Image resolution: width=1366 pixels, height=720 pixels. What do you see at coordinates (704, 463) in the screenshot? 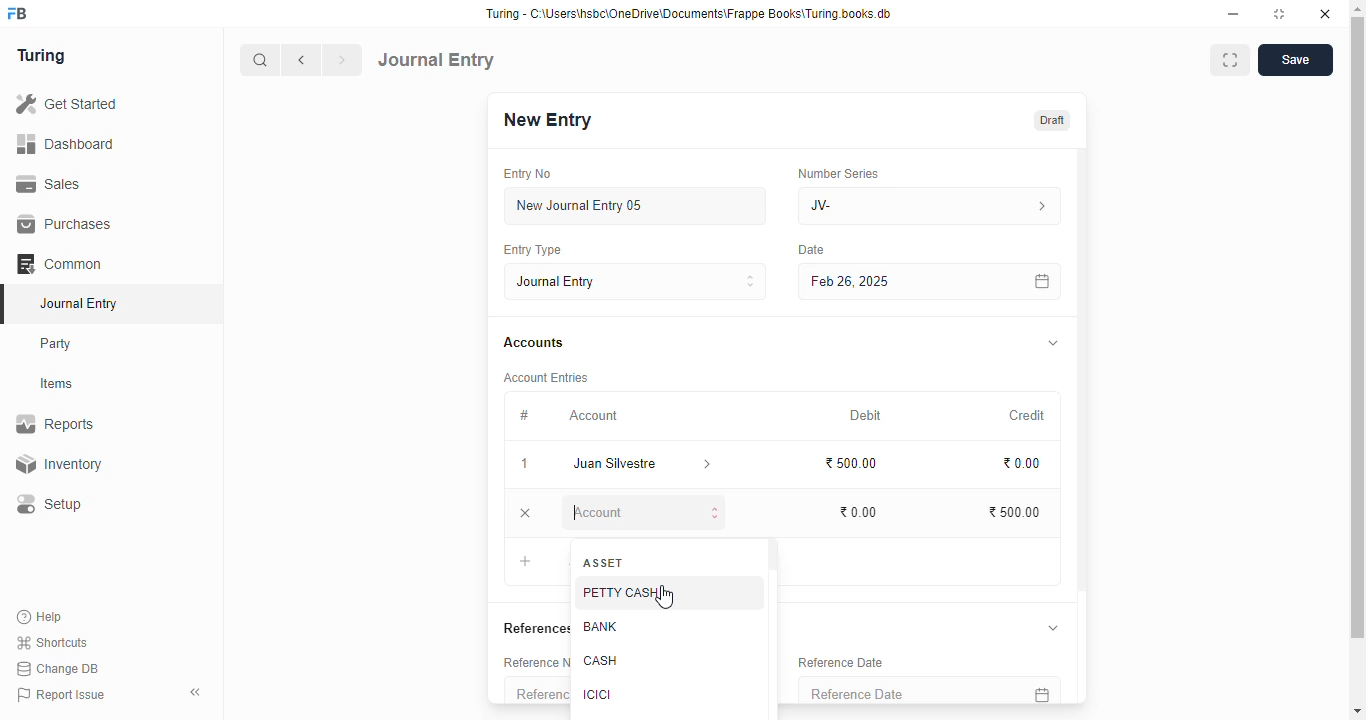
I see `account information` at bounding box center [704, 463].